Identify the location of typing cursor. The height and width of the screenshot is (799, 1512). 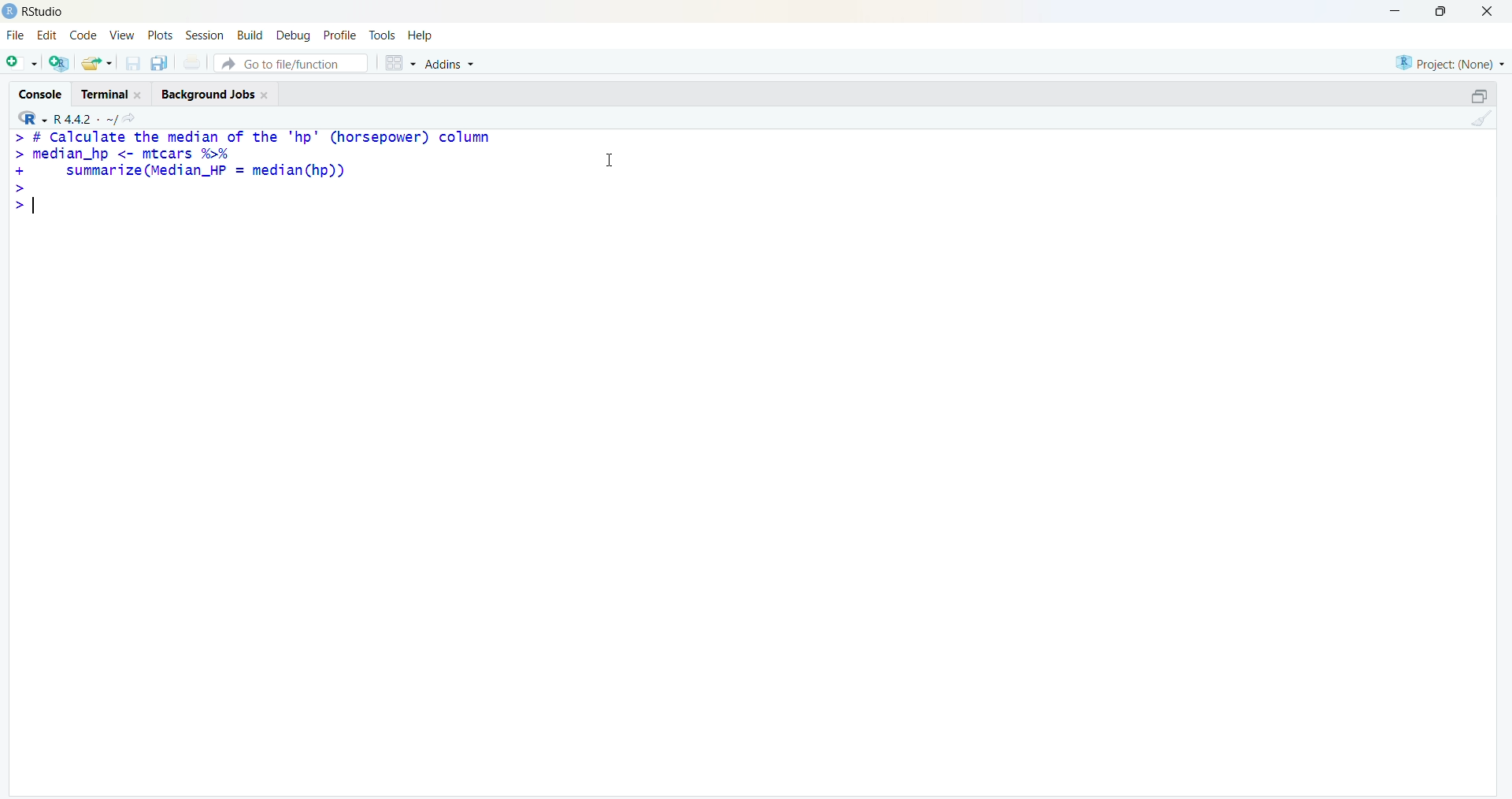
(39, 206).